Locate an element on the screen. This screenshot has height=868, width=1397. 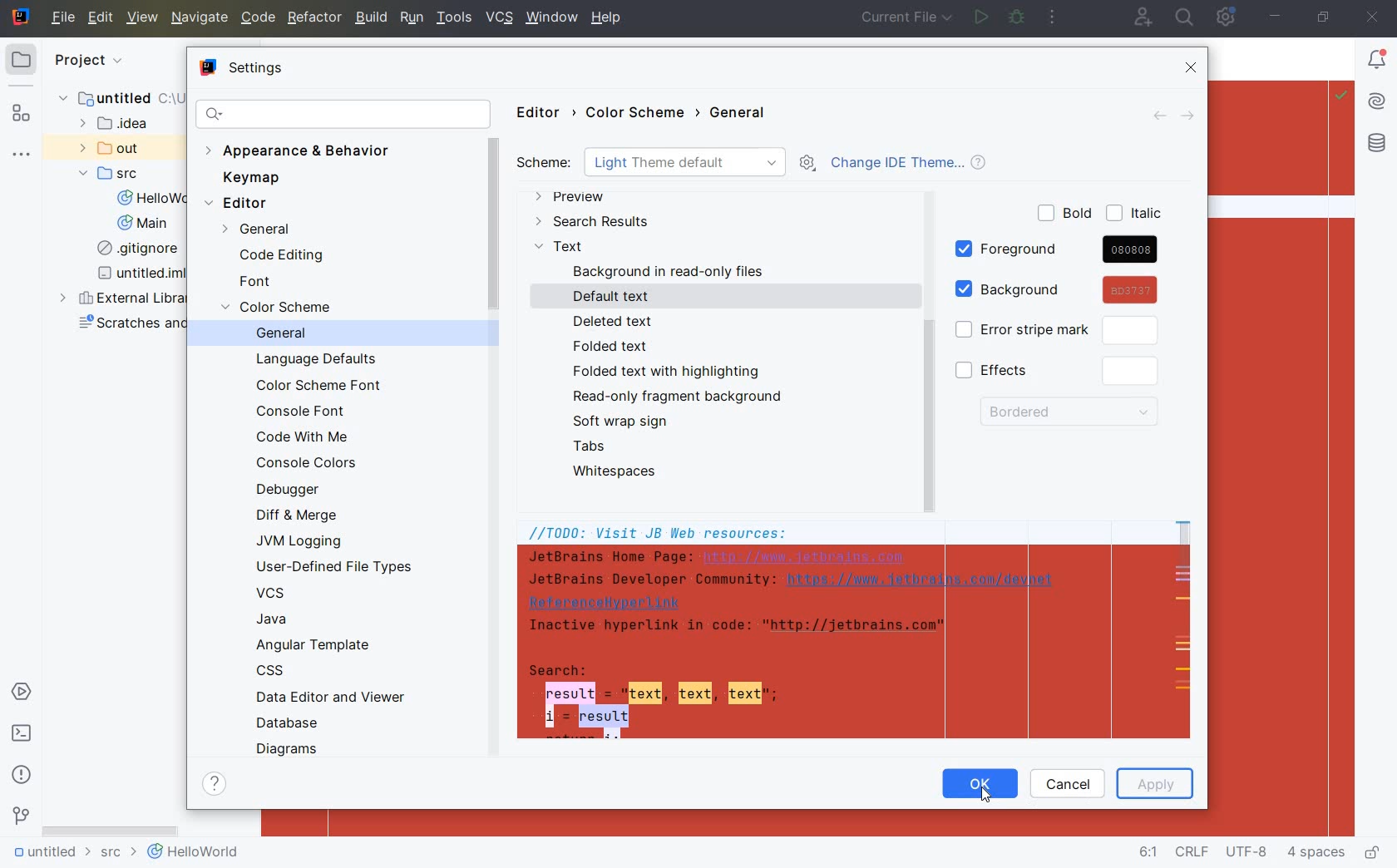
DELETED TEXT is located at coordinates (612, 320).